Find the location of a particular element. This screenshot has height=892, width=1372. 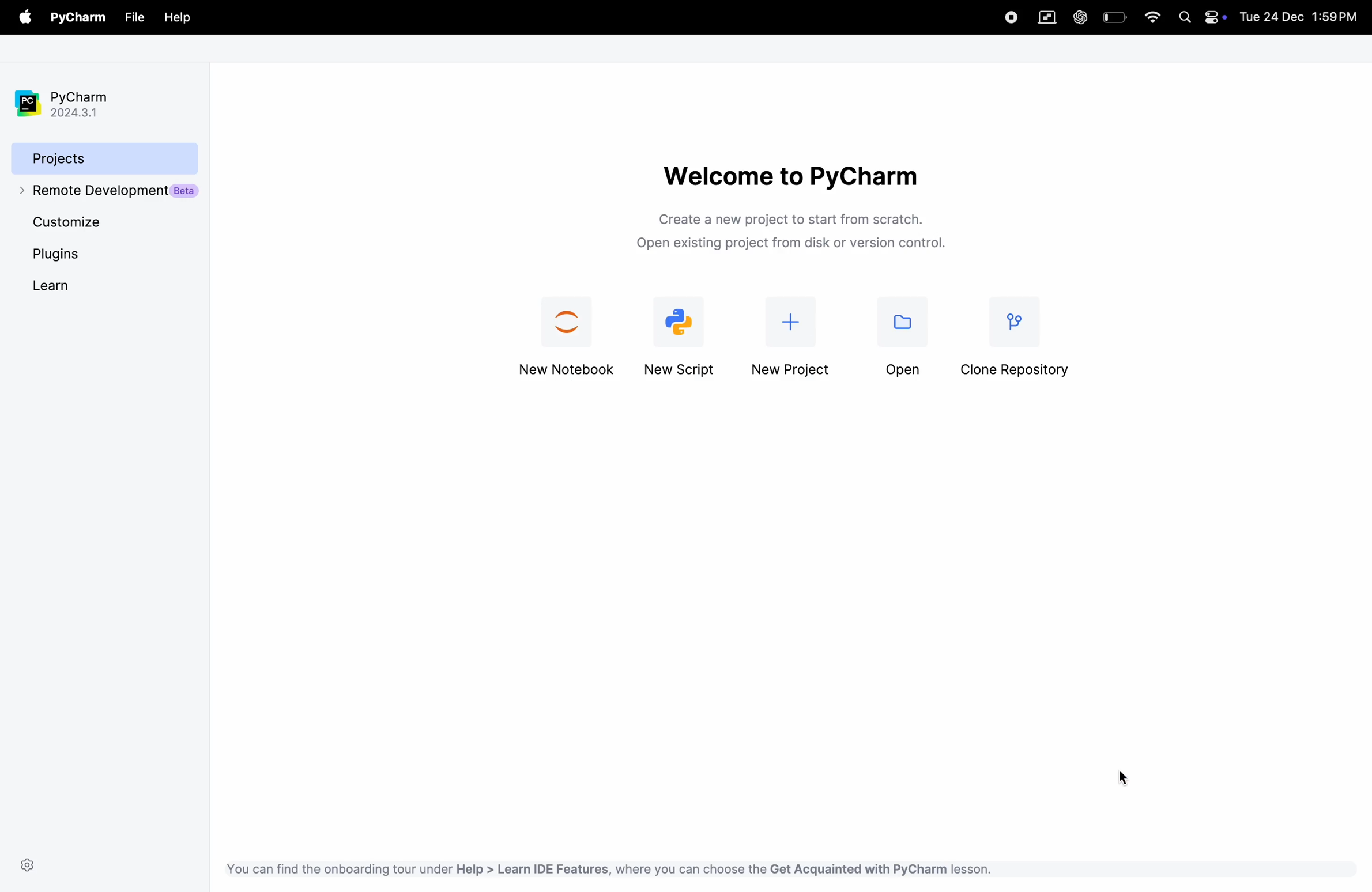

parallel space is located at coordinates (1050, 17).